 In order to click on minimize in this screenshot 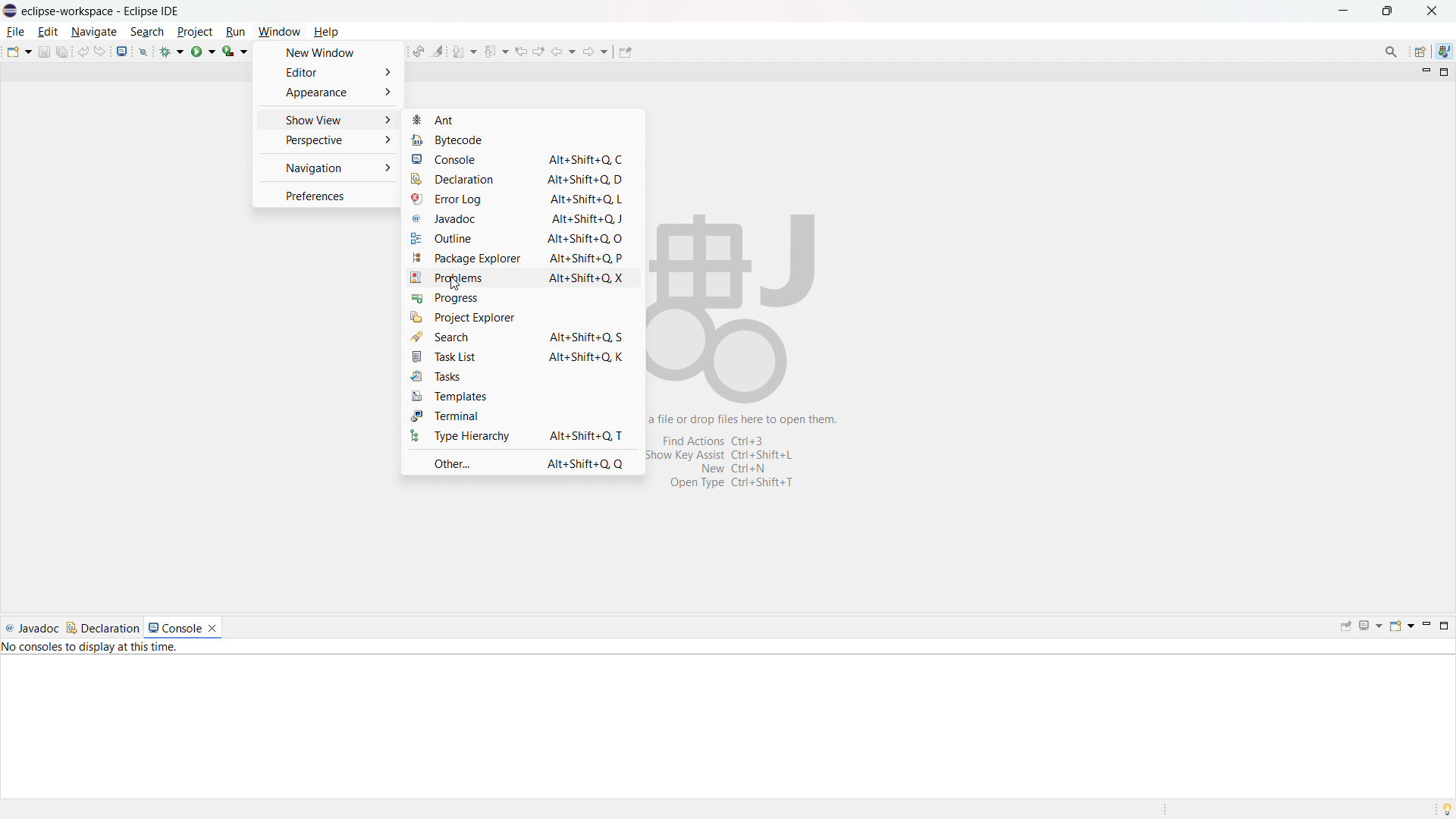, I will do `click(1424, 71)`.